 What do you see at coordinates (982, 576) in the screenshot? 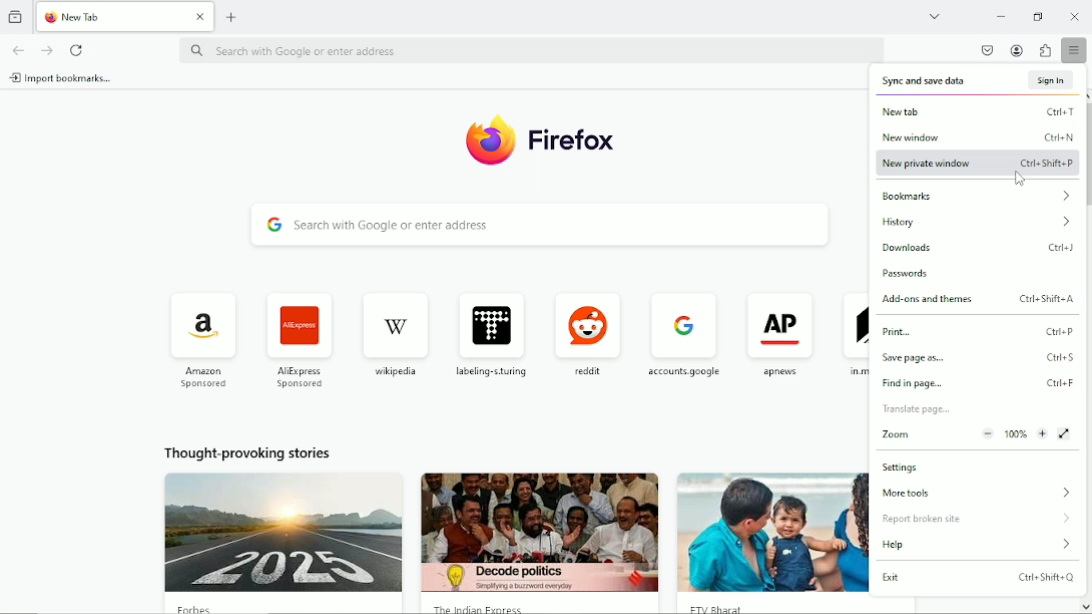
I see `exit` at bounding box center [982, 576].